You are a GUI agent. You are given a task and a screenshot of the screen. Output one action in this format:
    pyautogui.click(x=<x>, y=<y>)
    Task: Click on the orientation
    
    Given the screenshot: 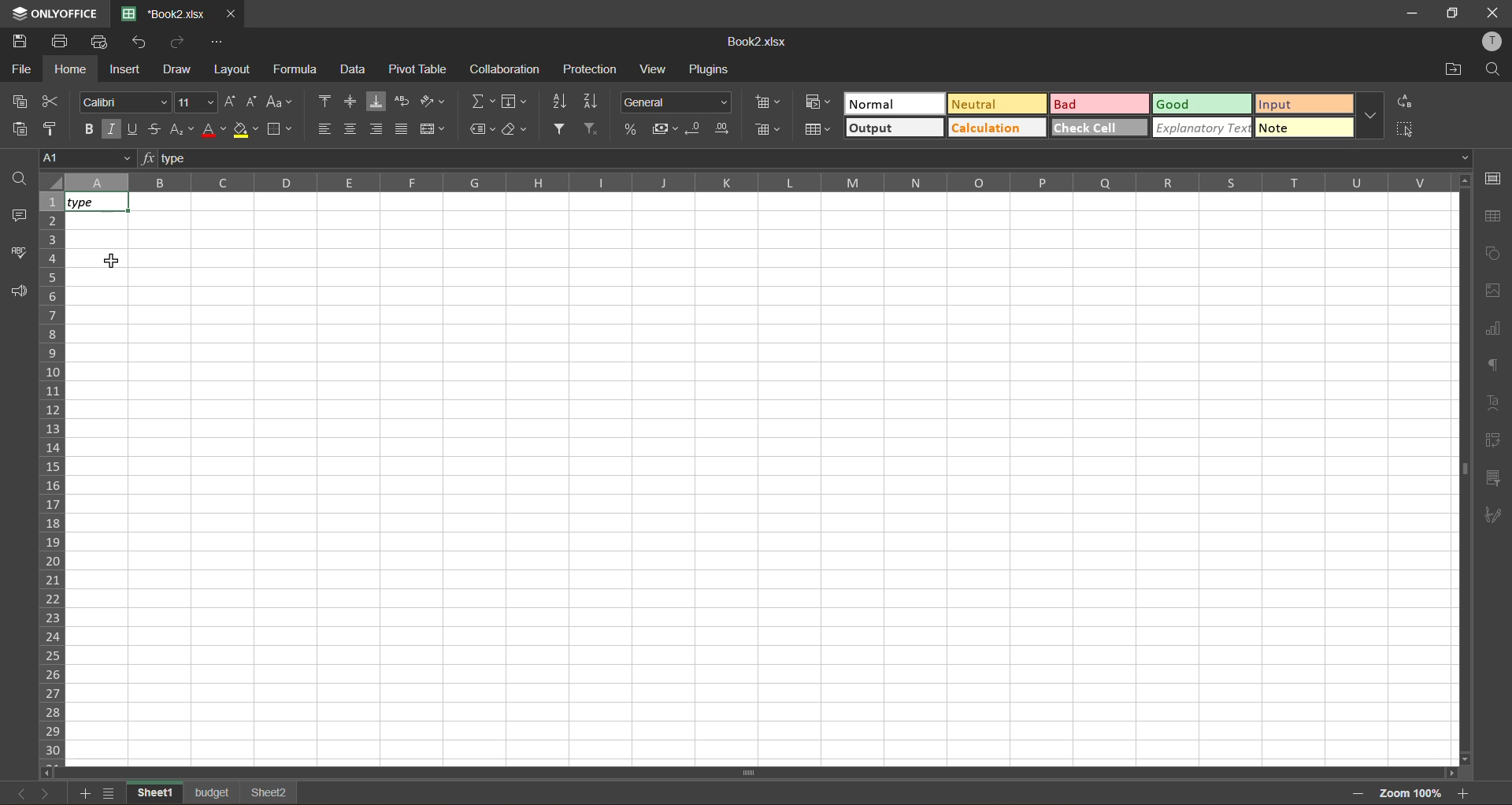 What is the action you would take?
    pyautogui.click(x=434, y=101)
    